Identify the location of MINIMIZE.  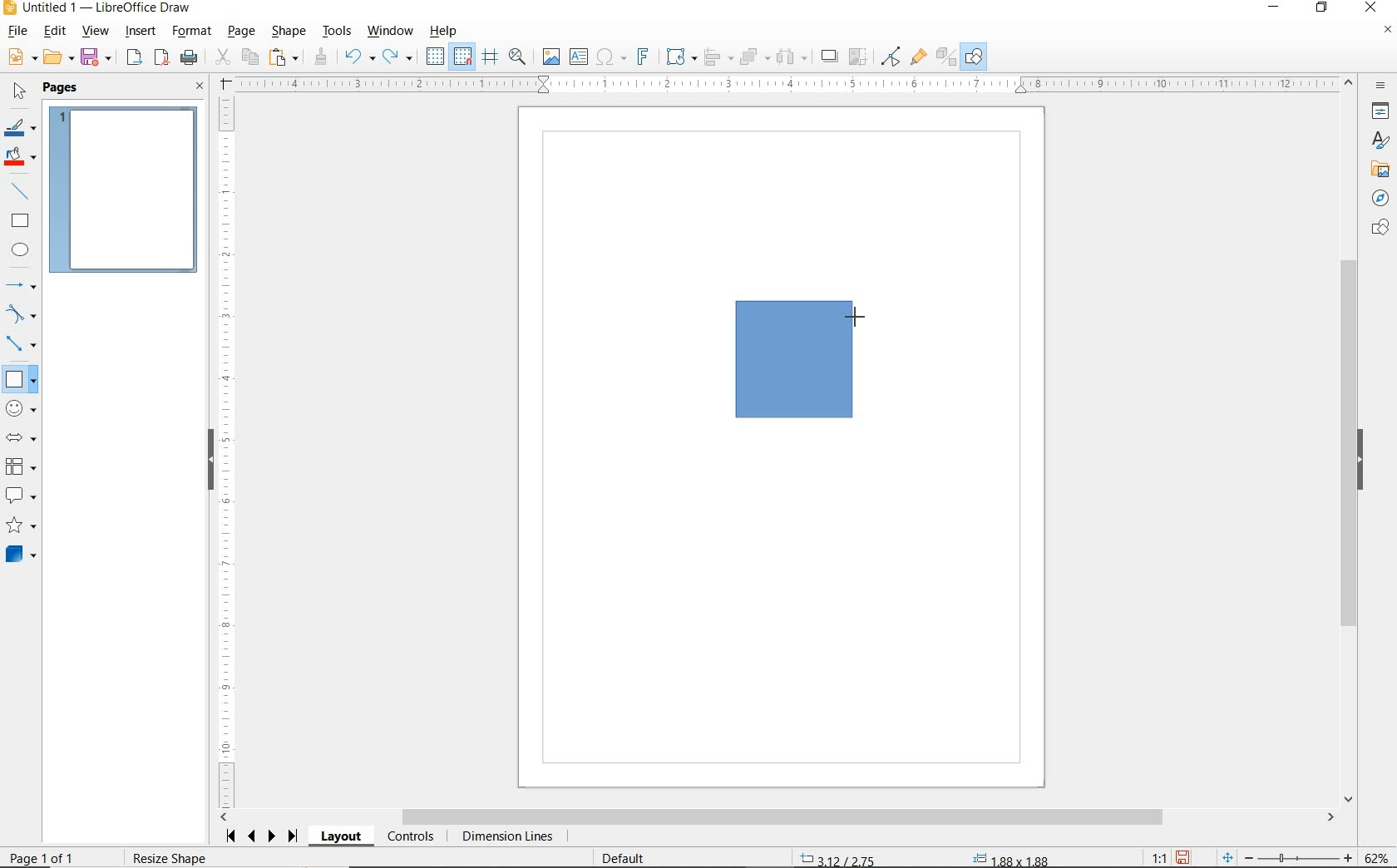
(1278, 8).